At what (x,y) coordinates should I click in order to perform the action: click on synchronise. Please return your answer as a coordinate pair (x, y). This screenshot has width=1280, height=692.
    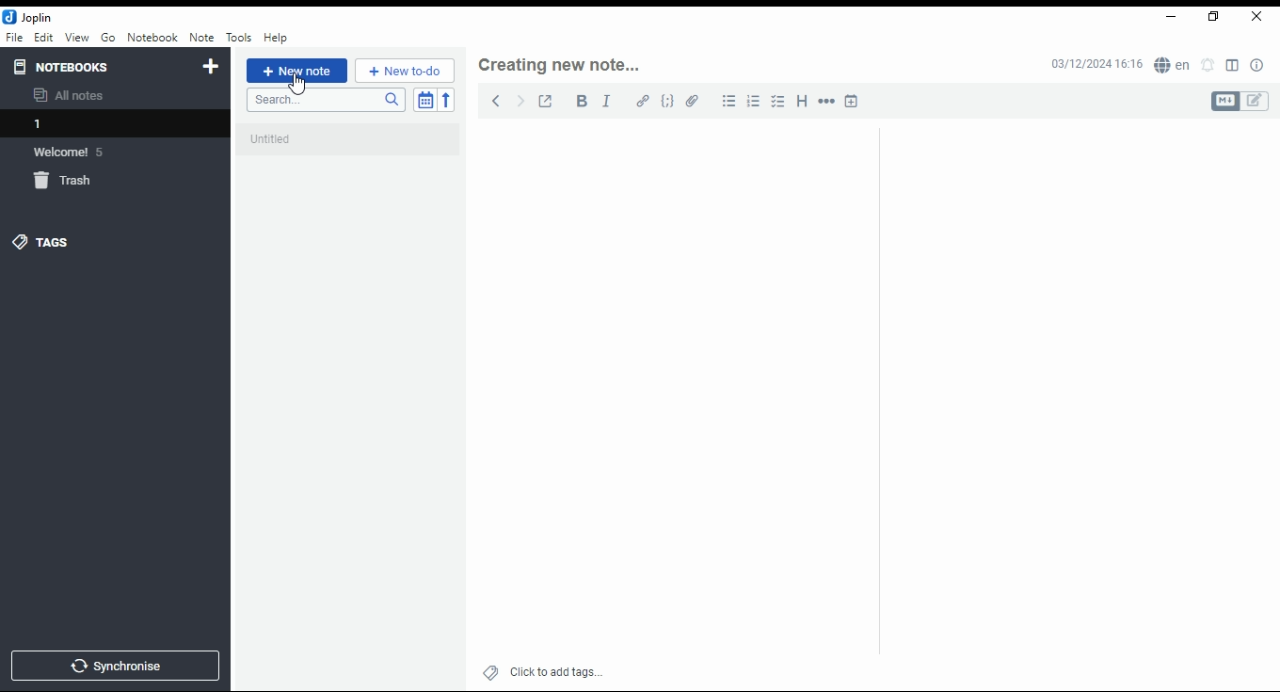
    Looking at the image, I should click on (112, 665).